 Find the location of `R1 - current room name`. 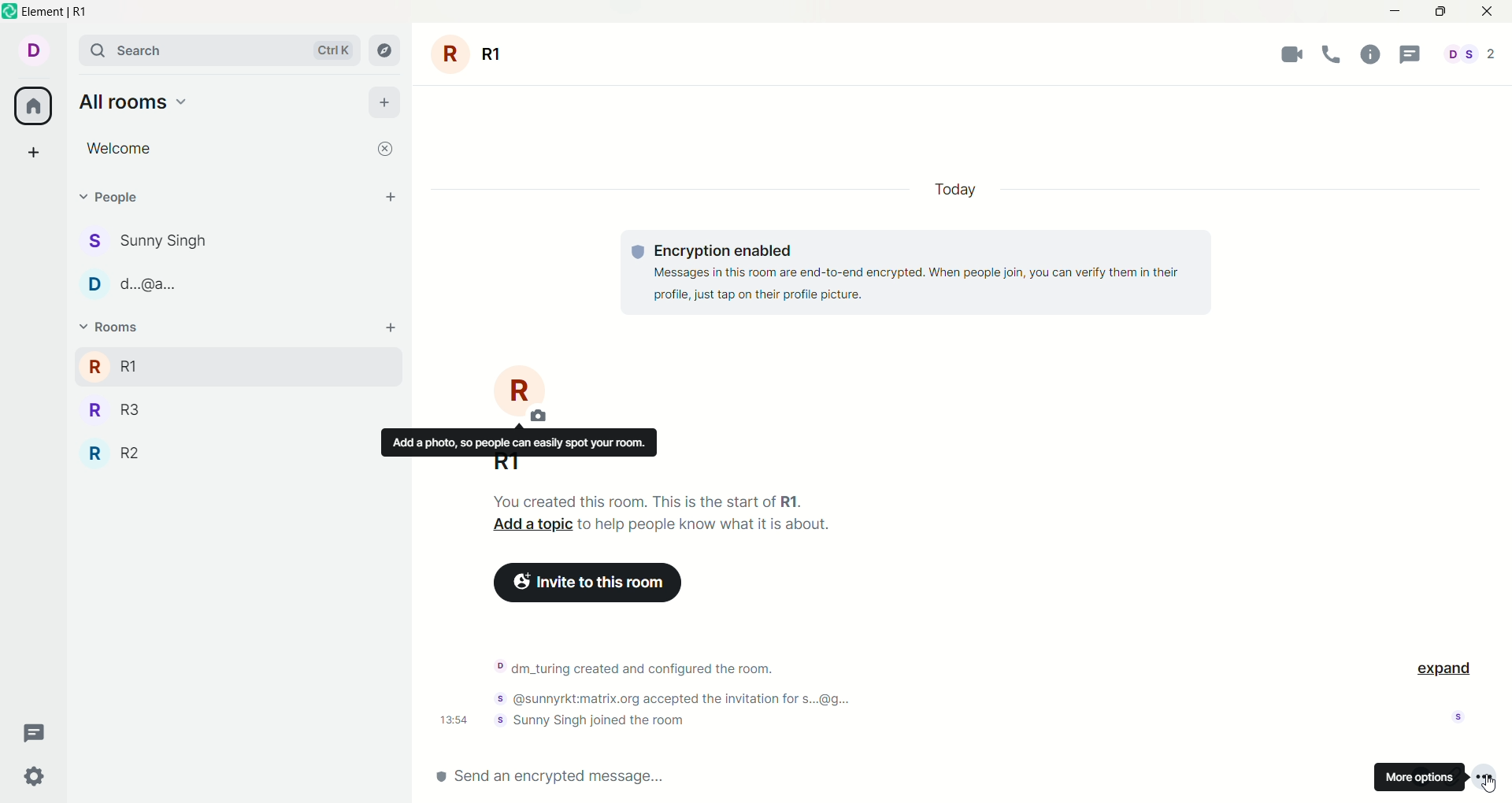

R1 - current room name is located at coordinates (506, 464).